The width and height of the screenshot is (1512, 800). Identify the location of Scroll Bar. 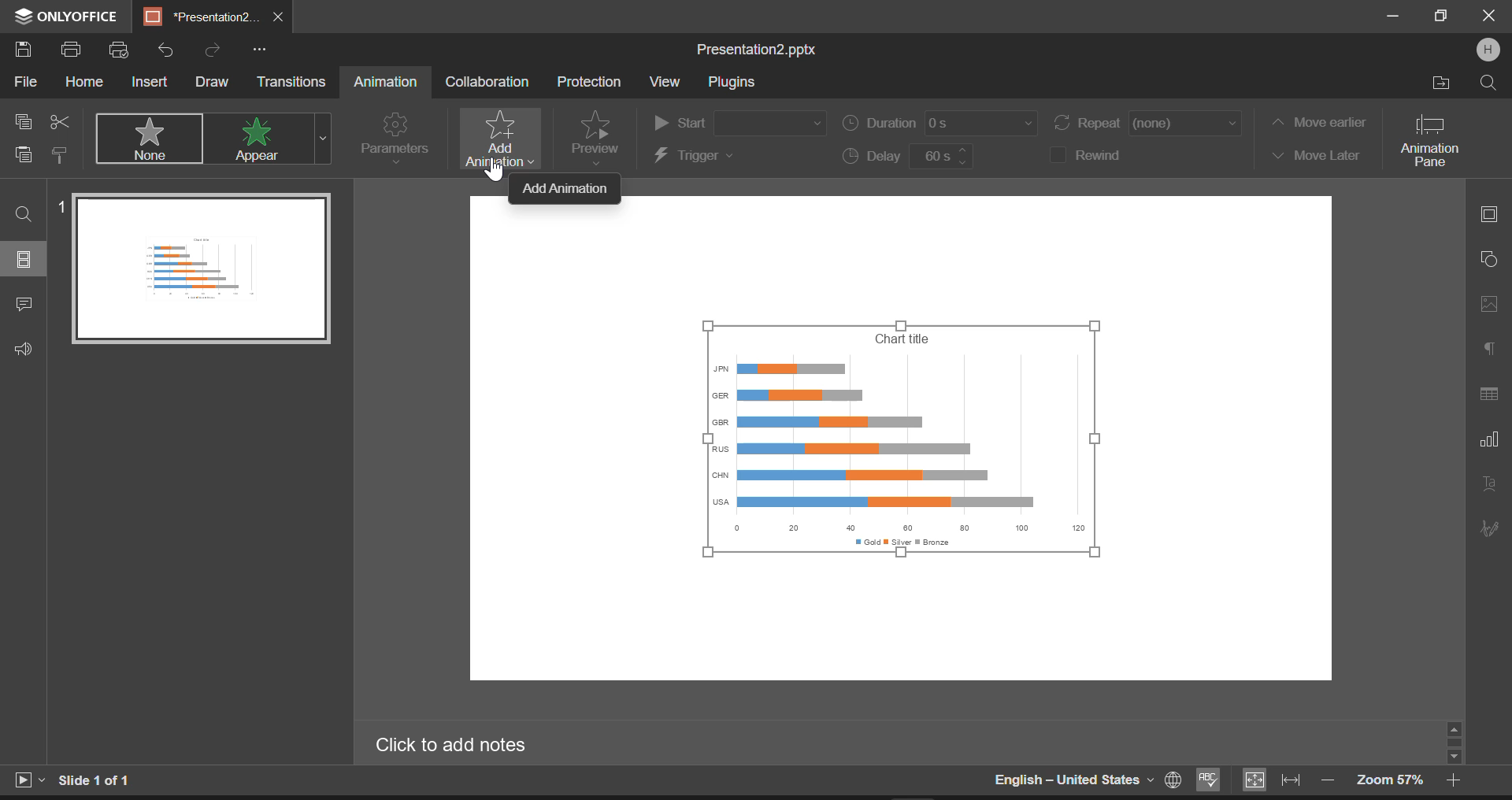
(1455, 742).